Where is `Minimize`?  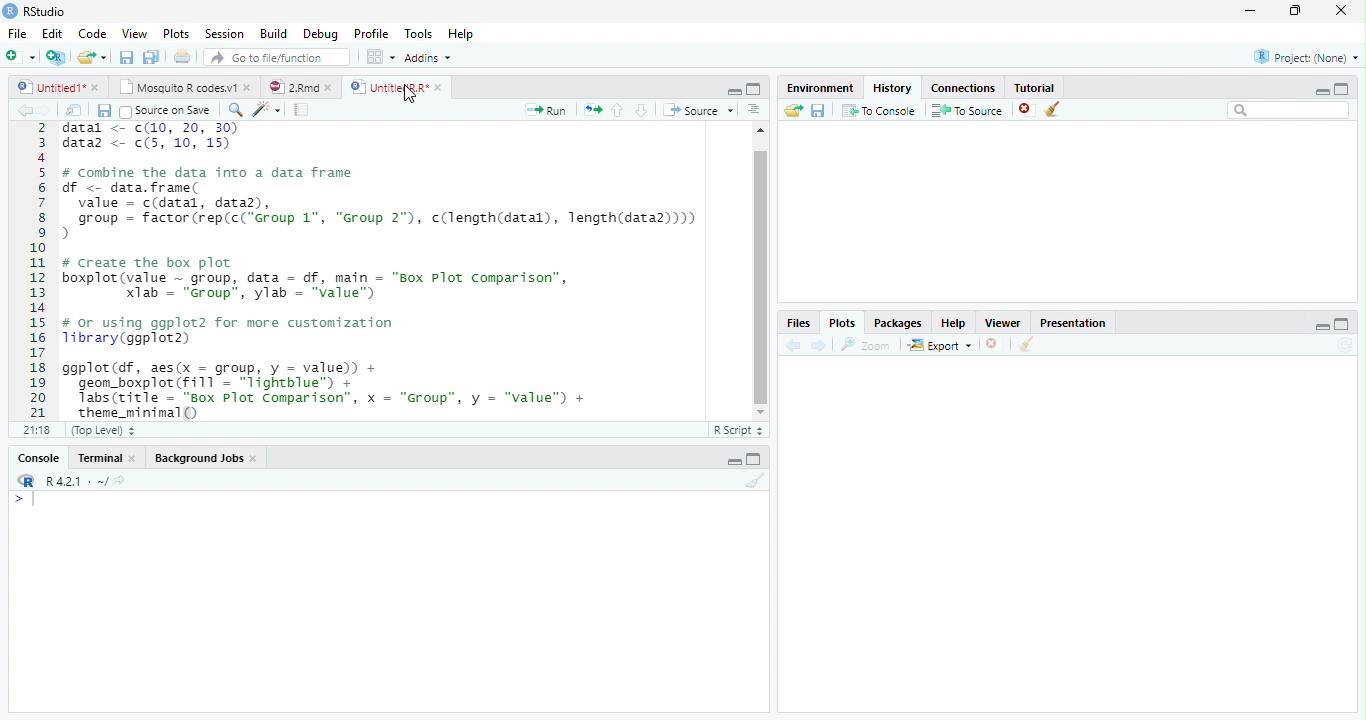 Minimize is located at coordinates (1321, 92).